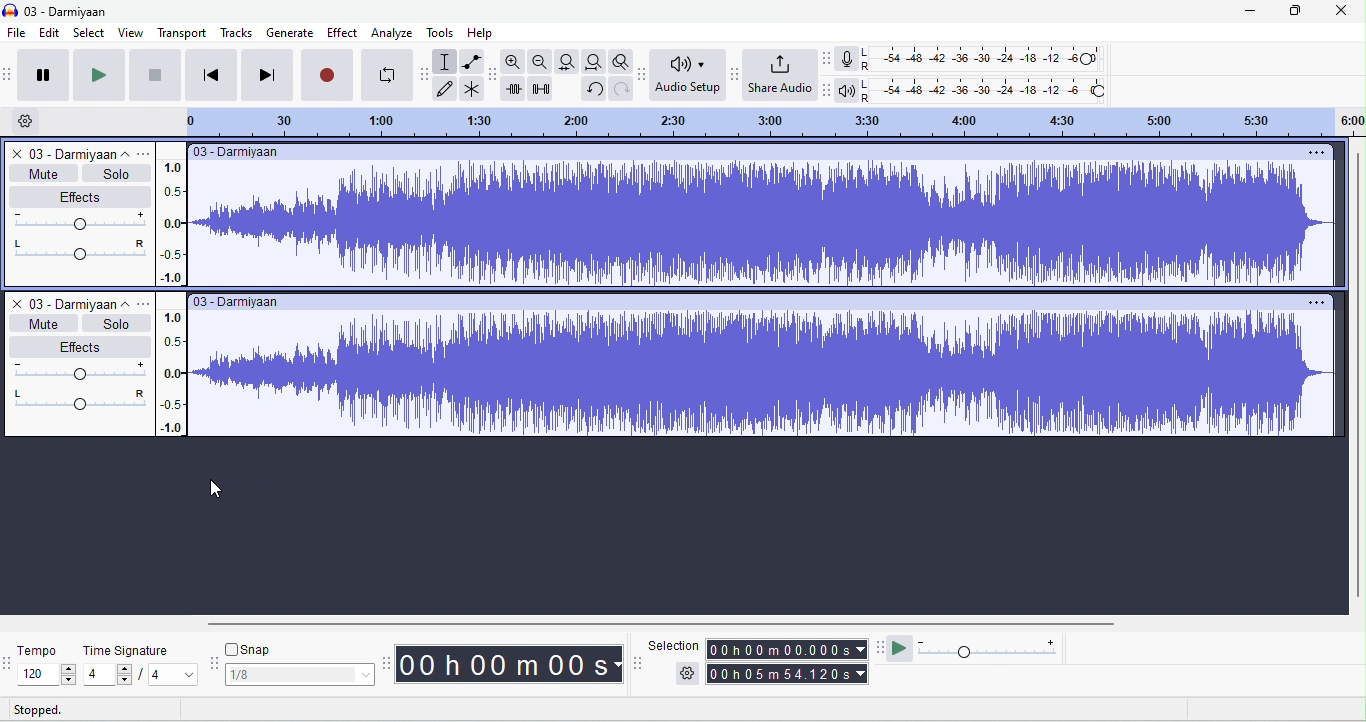 The height and width of the screenshot is (722, 1366). What do you see at coordinates (773, 123) in the screenshot?
I see `timeline ` at bounding box center [773, 123].